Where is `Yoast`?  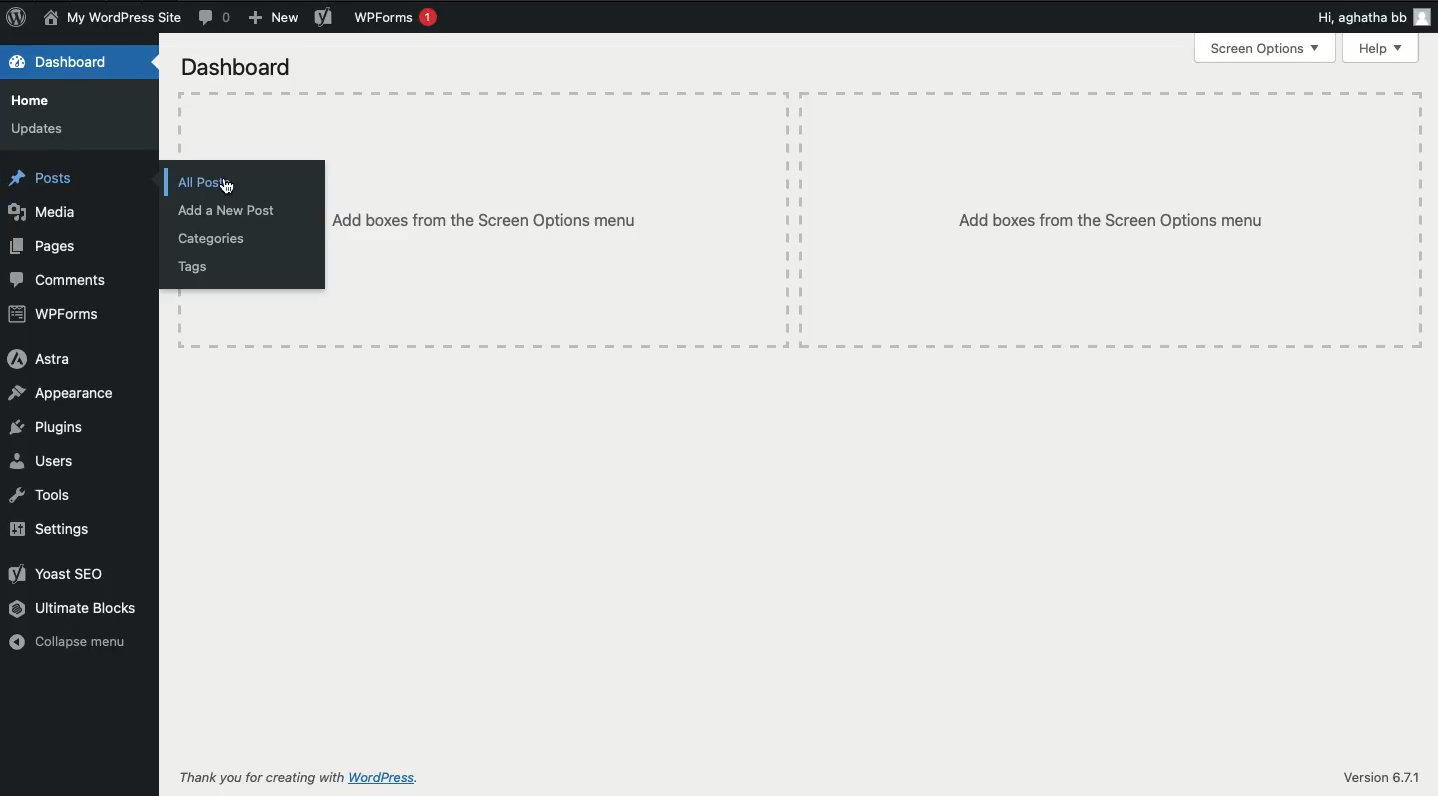
Yoast is located at coordinates (322, 17).